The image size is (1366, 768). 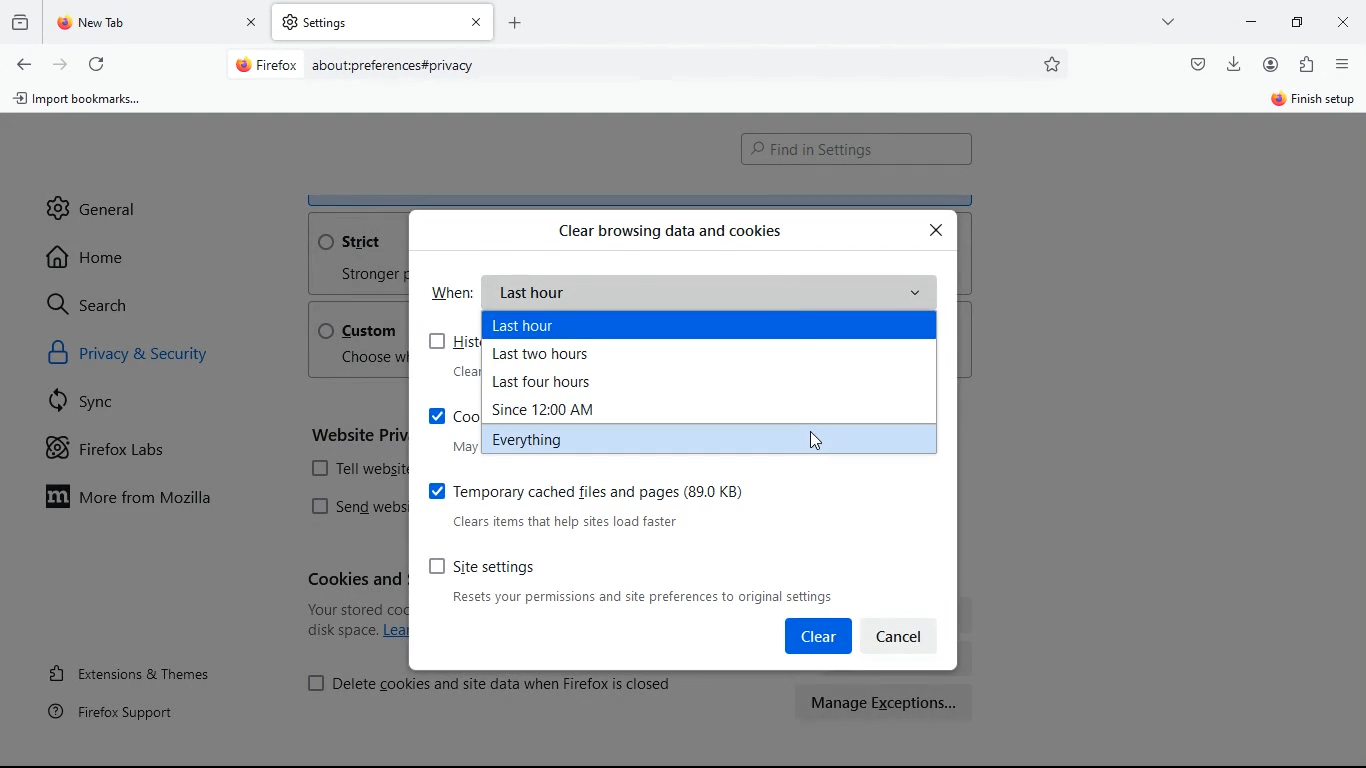 I want to click on find, so click(x=856, y=150).